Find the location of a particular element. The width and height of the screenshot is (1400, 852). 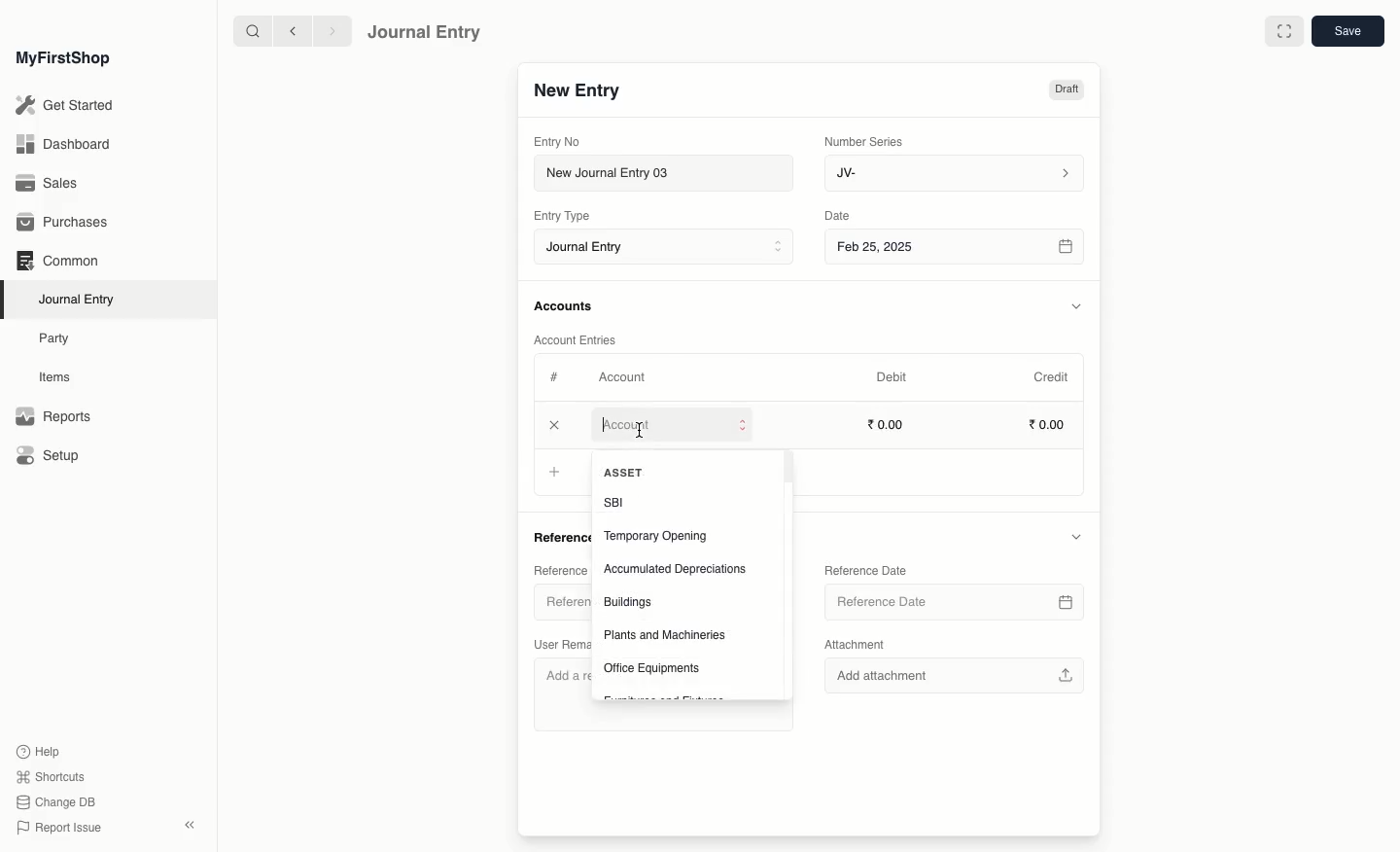

Buildings is located at coordinates (629, 603).